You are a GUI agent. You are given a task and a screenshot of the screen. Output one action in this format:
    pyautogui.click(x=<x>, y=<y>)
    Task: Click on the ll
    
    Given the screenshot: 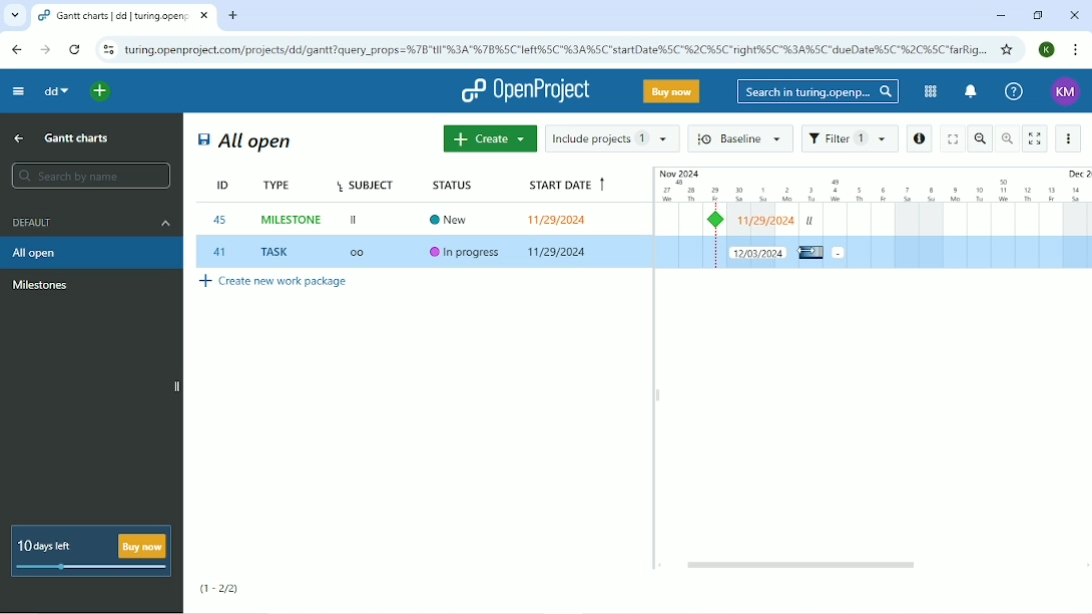 What is the action you would take?
    pyautogui.click(x=810, y=221)
    